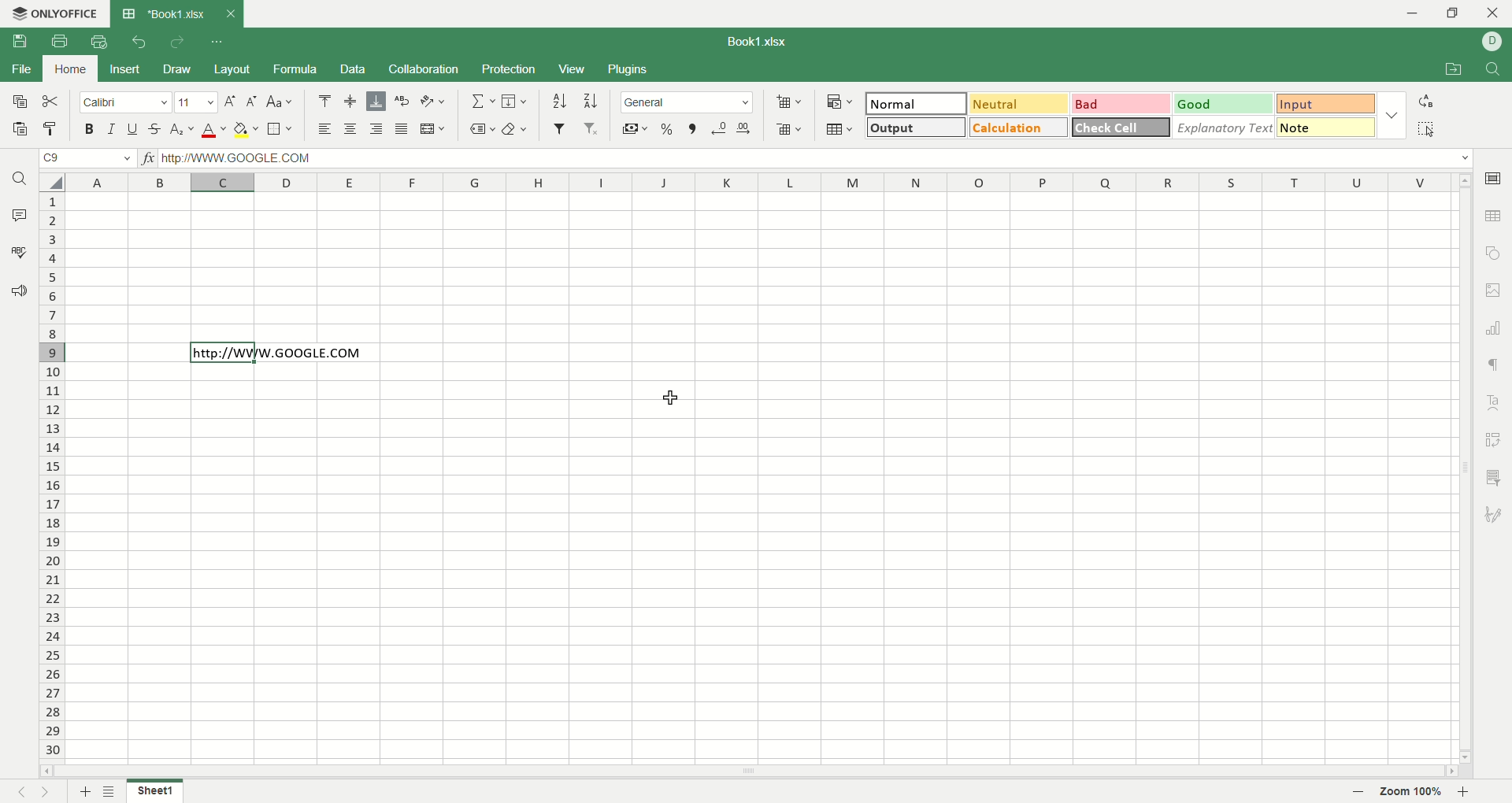  What do you see at coordinates (1493, 216) in the screenshot?
I see `table option` at bounding box center [1493, 216].